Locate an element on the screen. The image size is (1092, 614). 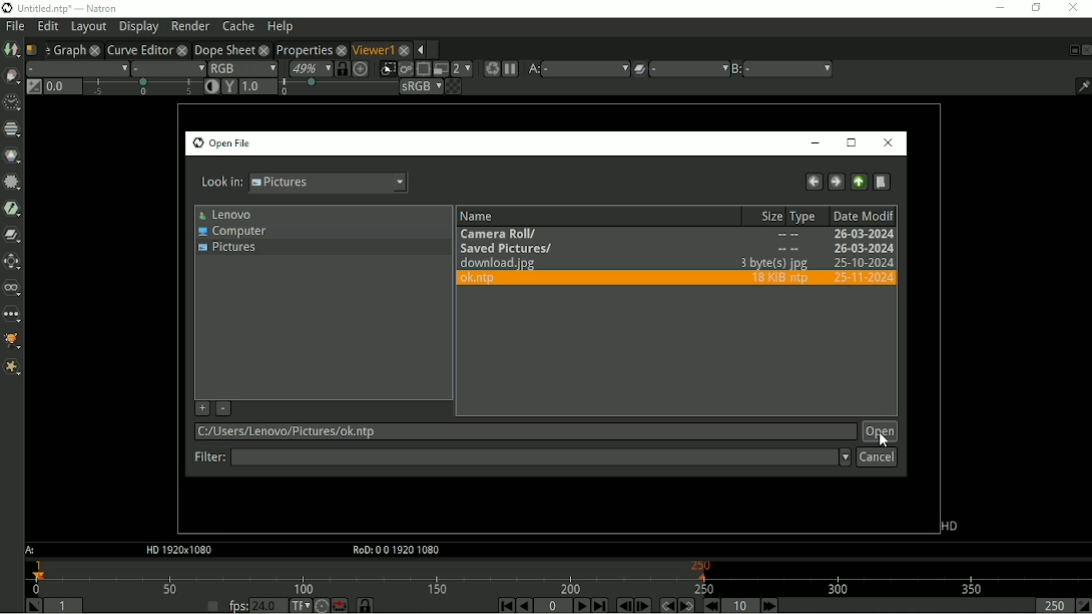
menu is located at coordinates (689, 69).